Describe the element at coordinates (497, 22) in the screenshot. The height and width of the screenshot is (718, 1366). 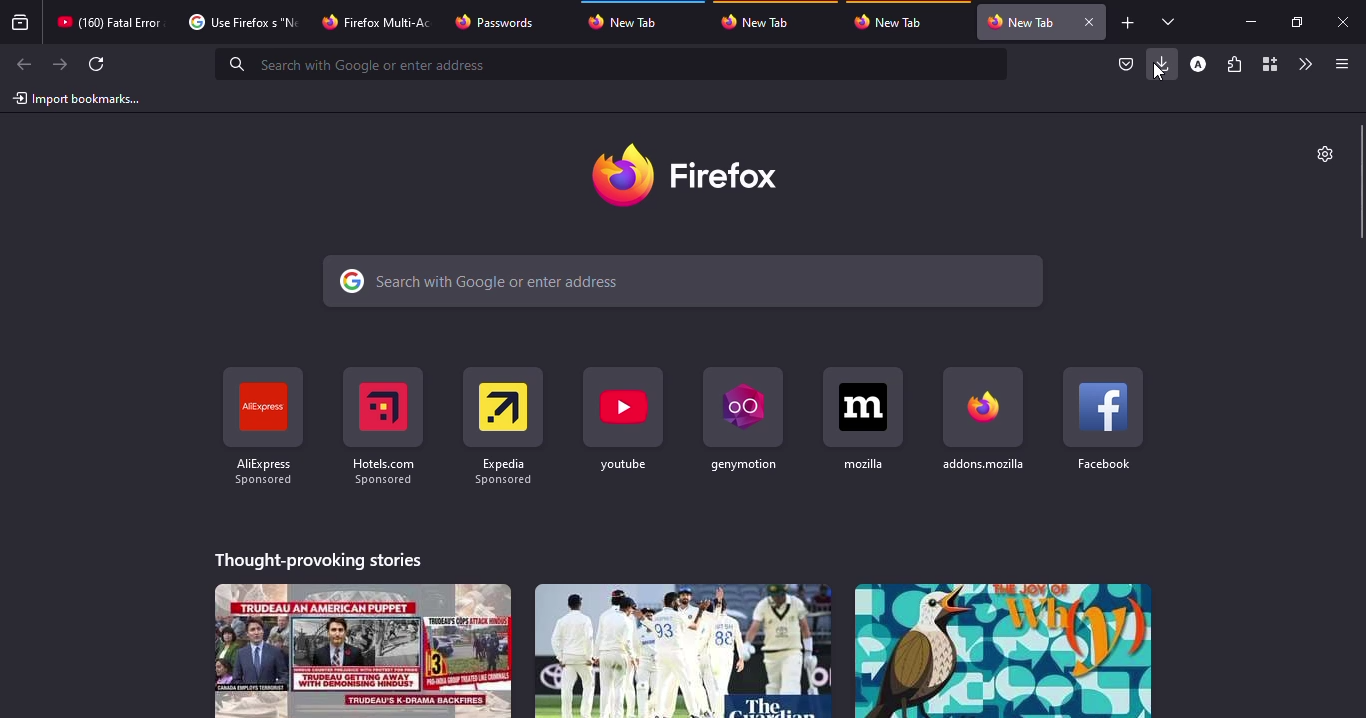
I see `tab` at that location.